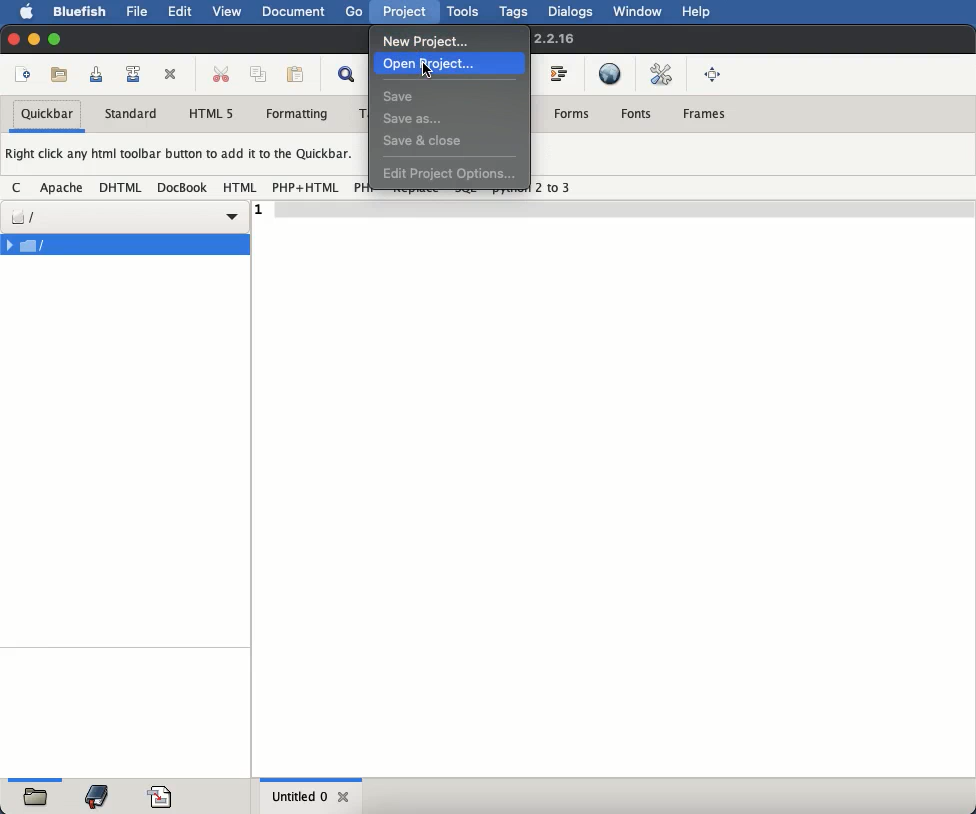  I want to click on copy, so click(261, 75).